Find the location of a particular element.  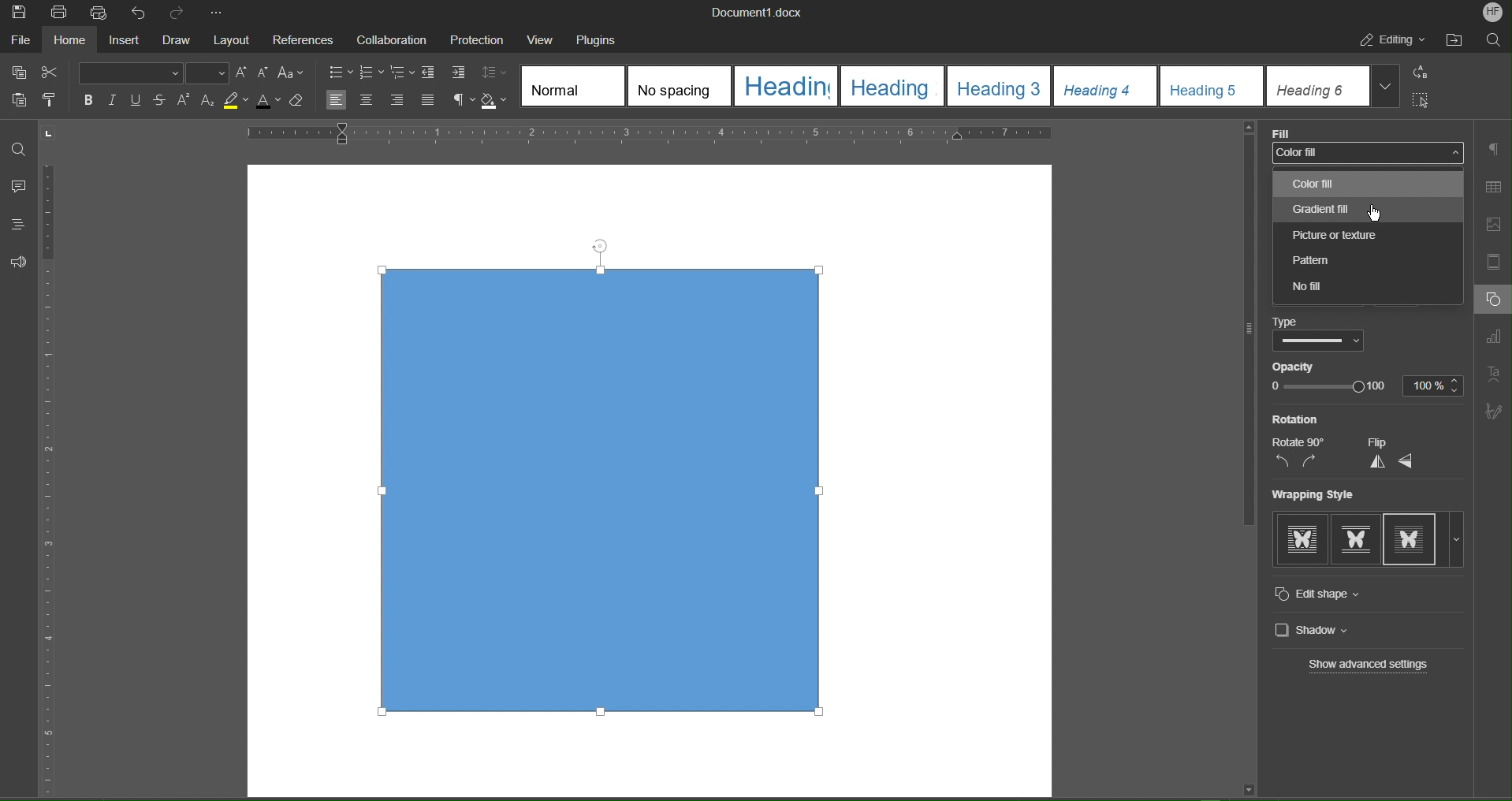

Centre Align is located at coordinates (366, 101).